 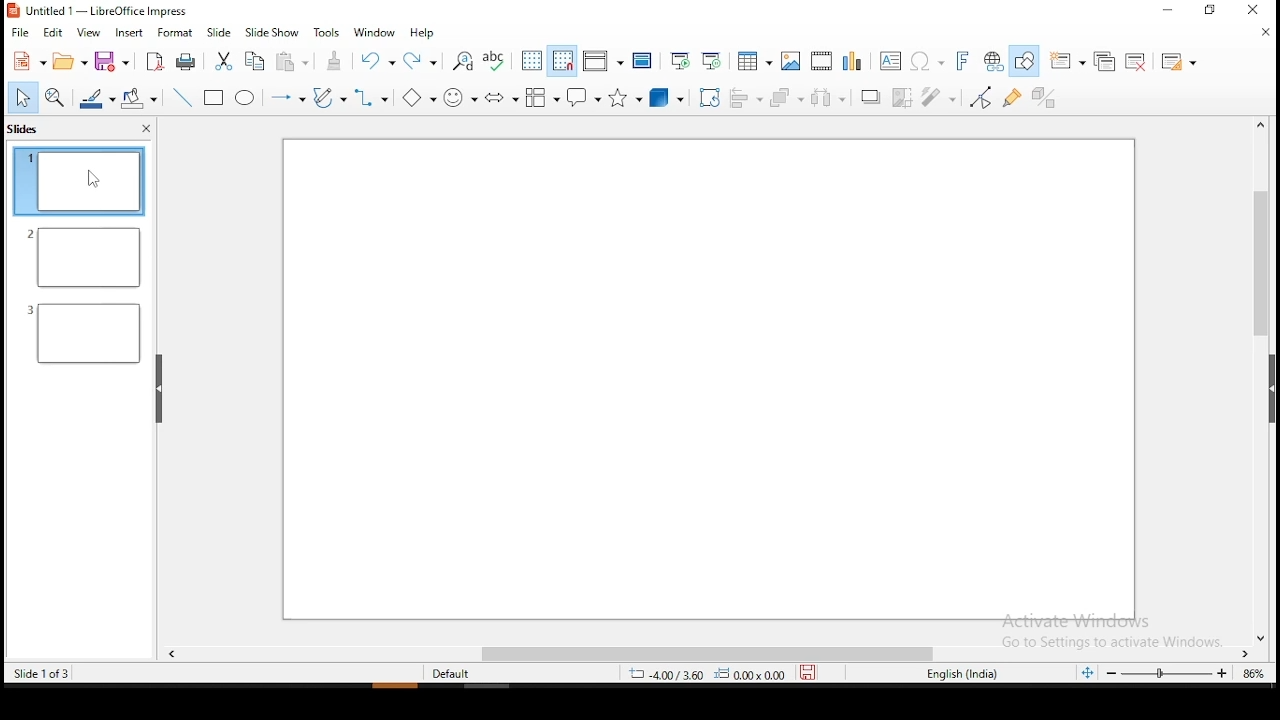 What do you see at coordinates (140, 97) in the screenshot?
I see `paint bucket tool` at bounding box center [140, 97].